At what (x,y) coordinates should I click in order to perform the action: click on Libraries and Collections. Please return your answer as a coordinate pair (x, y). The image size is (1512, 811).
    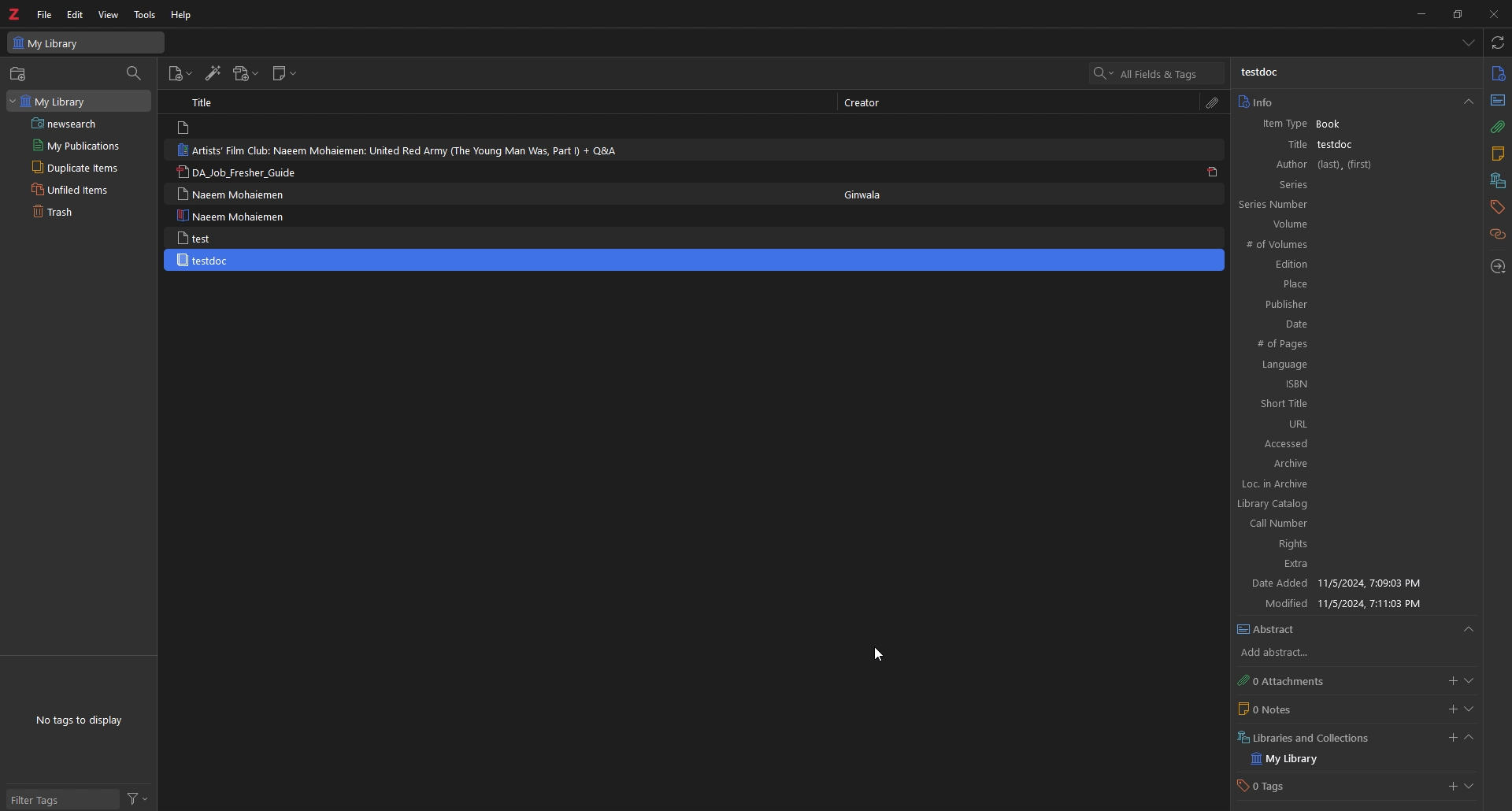
    Looking at the image, I should click on (1309, 736).